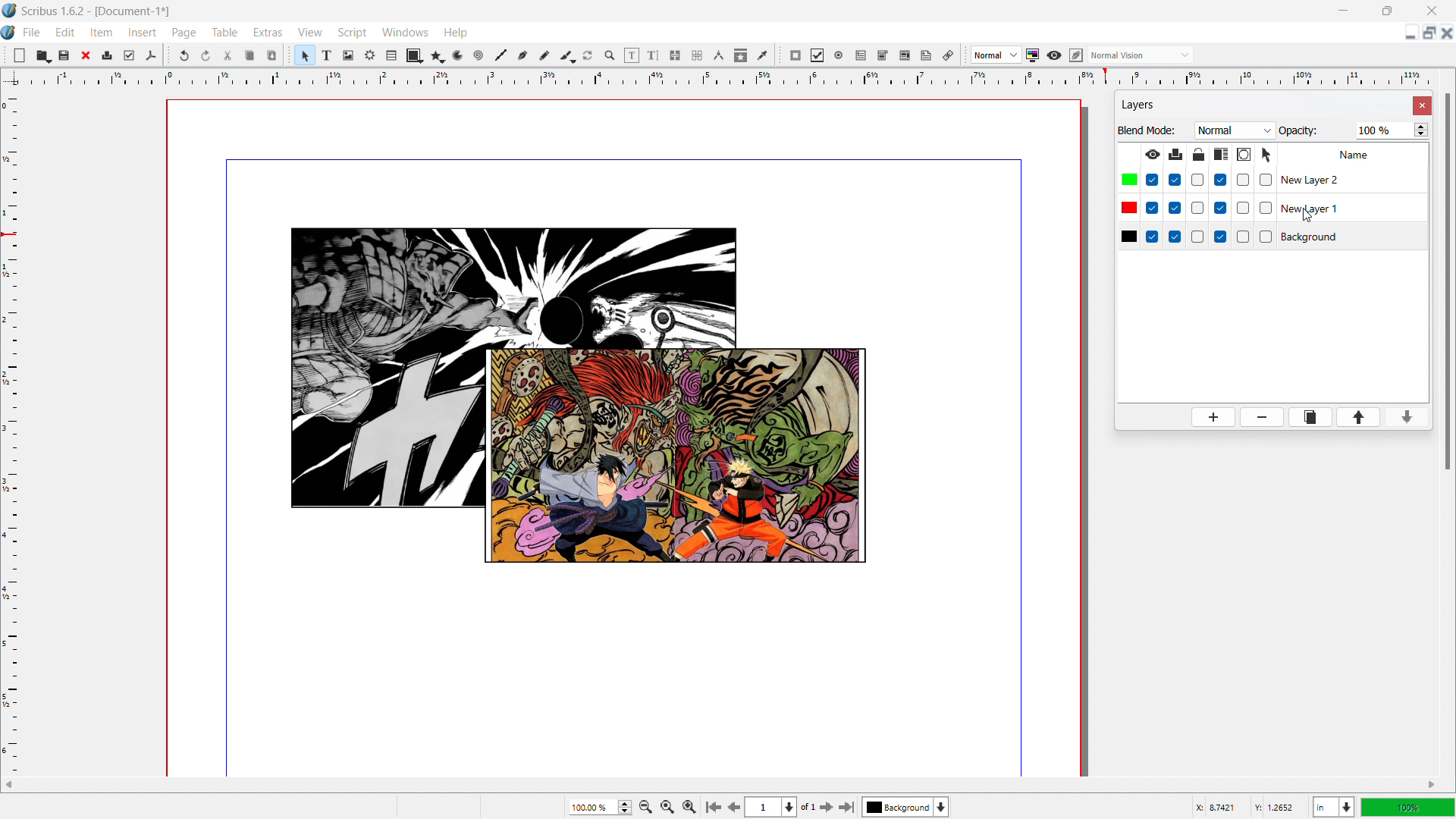  I want to click on pdf combo box, so click(883, 55).